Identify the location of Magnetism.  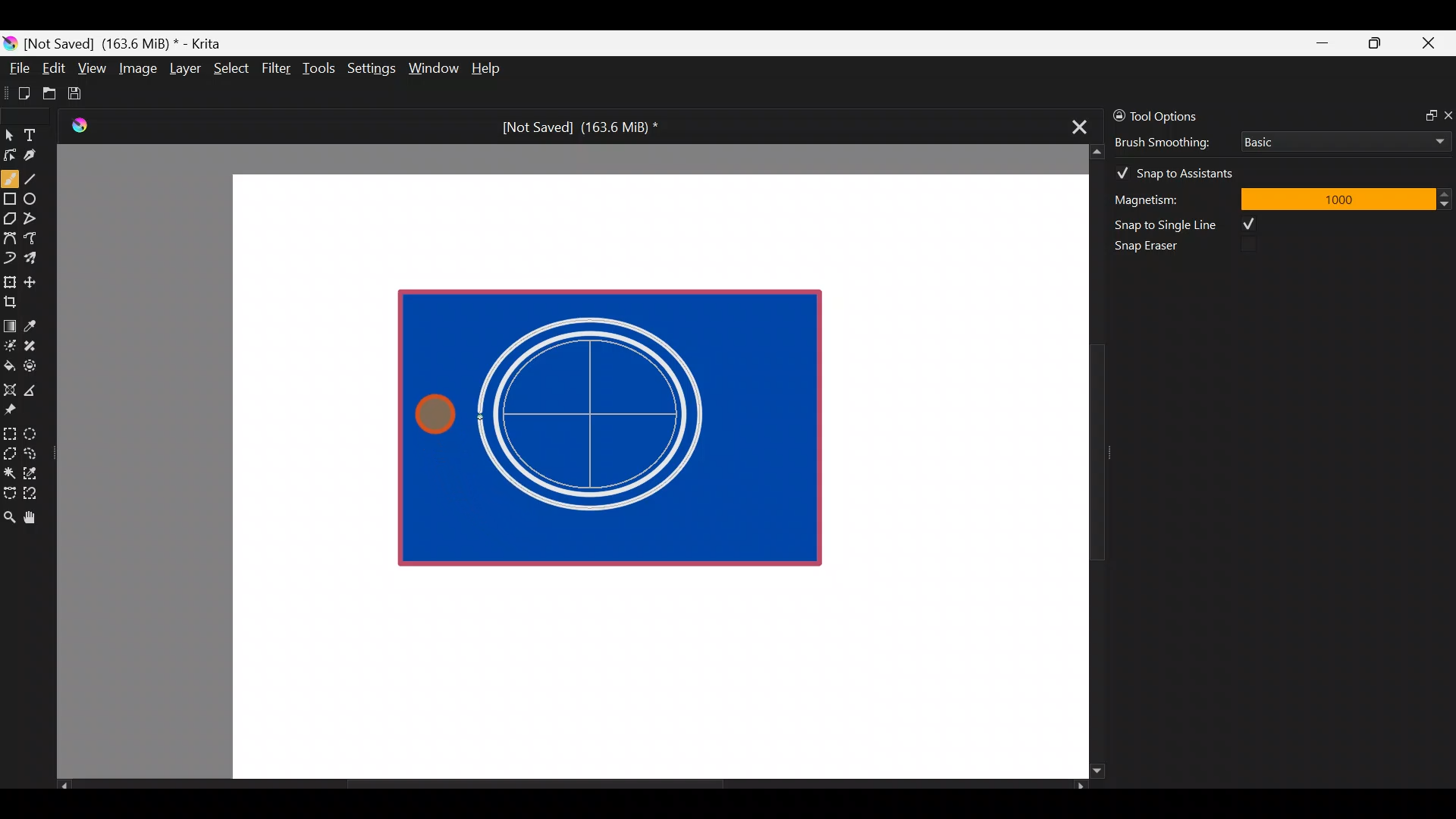
(1168, 197).